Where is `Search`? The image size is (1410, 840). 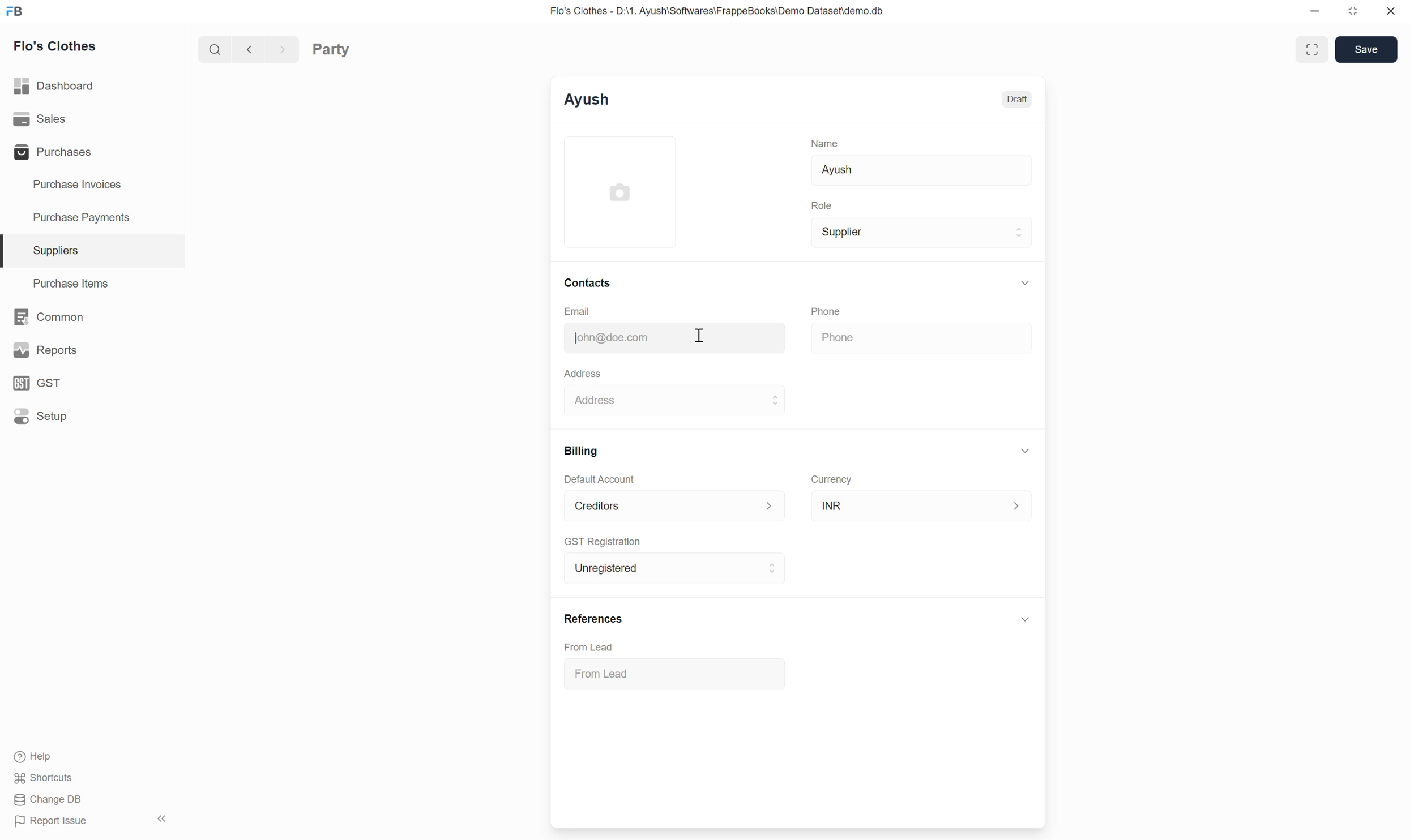
Search is located at coordinates (215, 49).